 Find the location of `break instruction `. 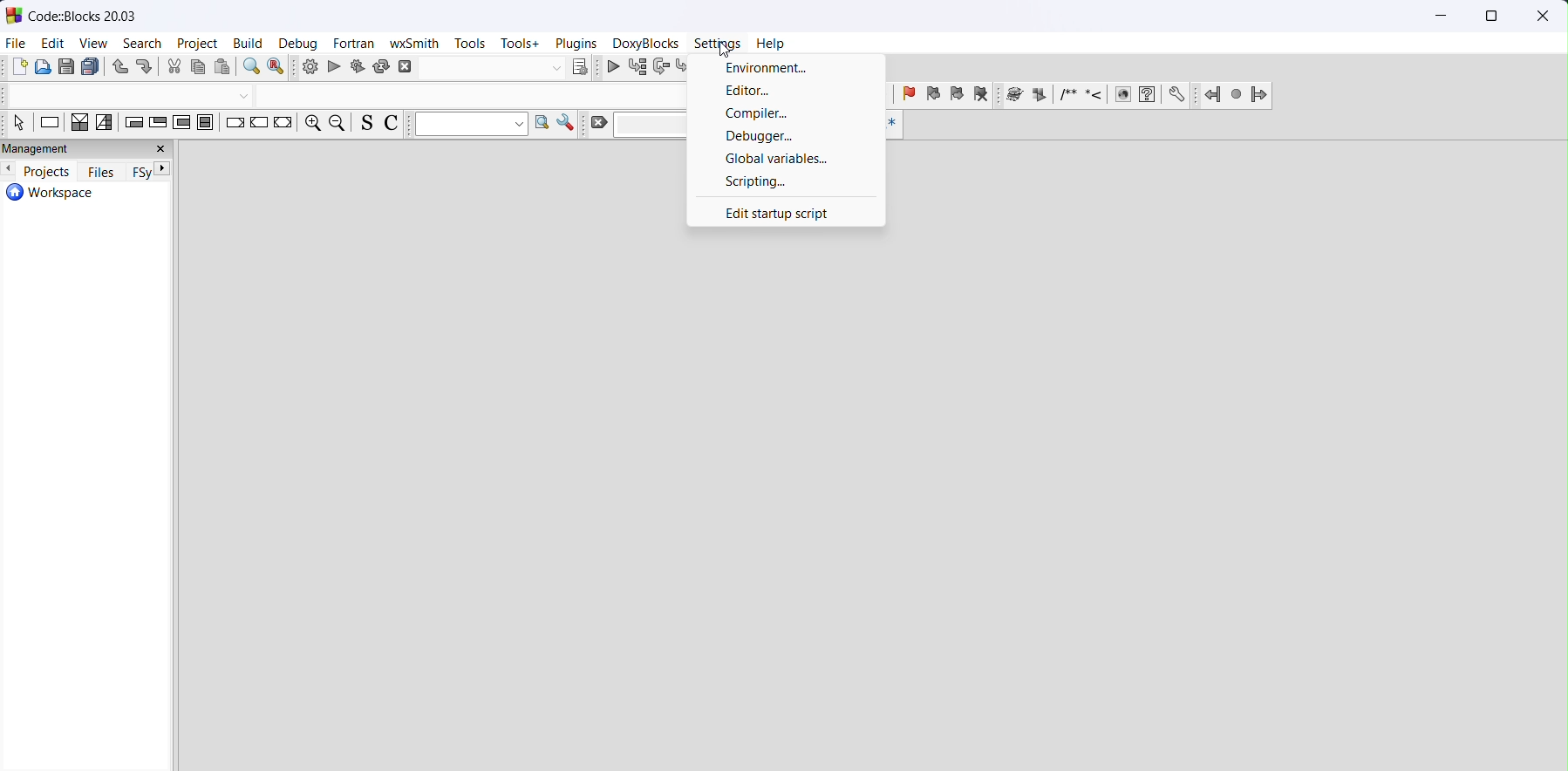

break instruction  is located at coordinates (235, 125).